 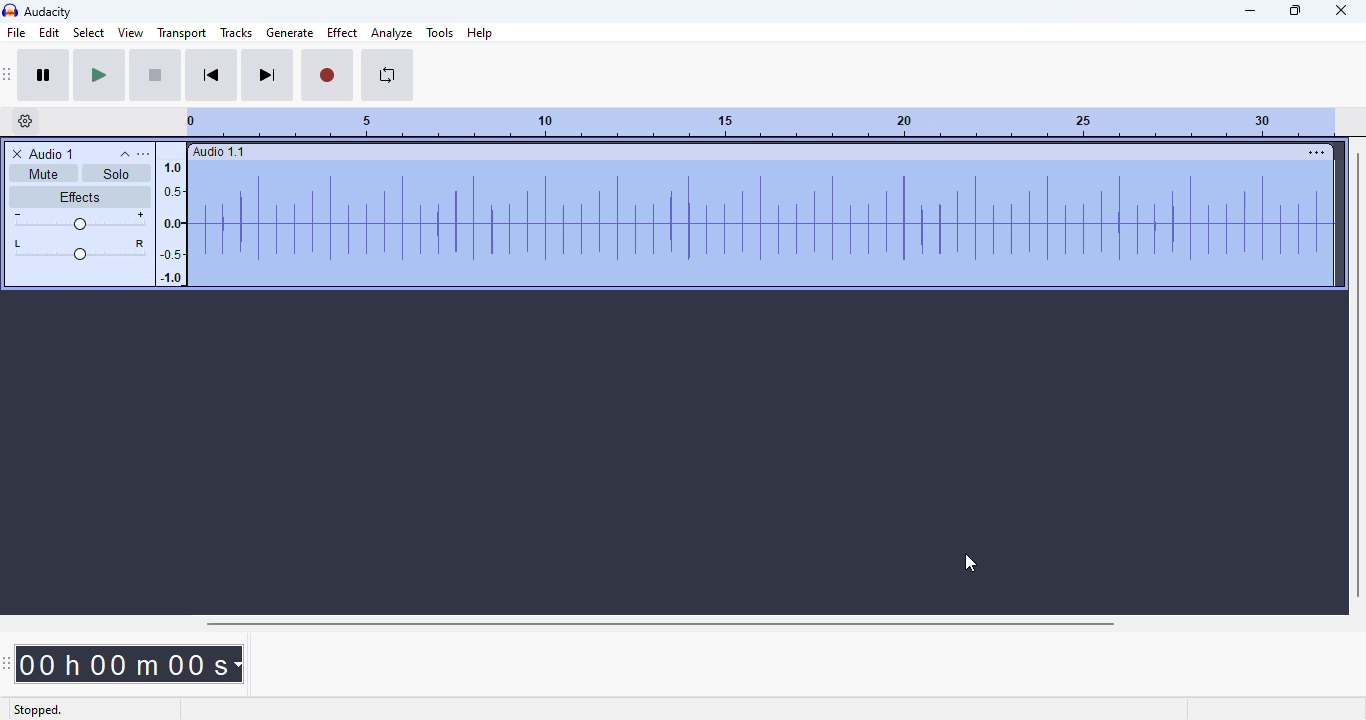 What do you see at coordinates (762, 122) in the screenshot?
I see `timeline` at bounding box center [762, 122].